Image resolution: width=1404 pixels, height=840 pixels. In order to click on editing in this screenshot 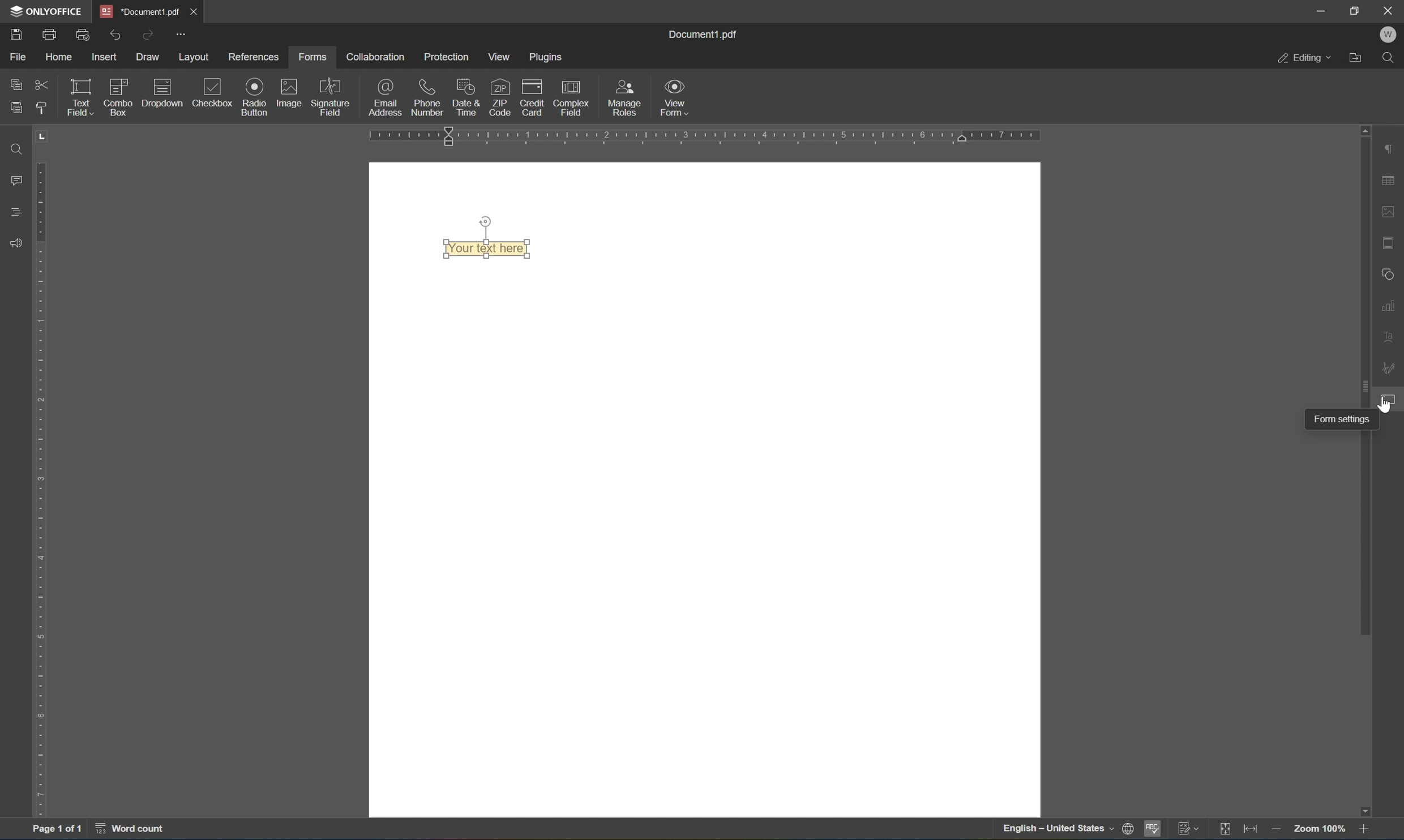, I will do `click(1302, 58)`.